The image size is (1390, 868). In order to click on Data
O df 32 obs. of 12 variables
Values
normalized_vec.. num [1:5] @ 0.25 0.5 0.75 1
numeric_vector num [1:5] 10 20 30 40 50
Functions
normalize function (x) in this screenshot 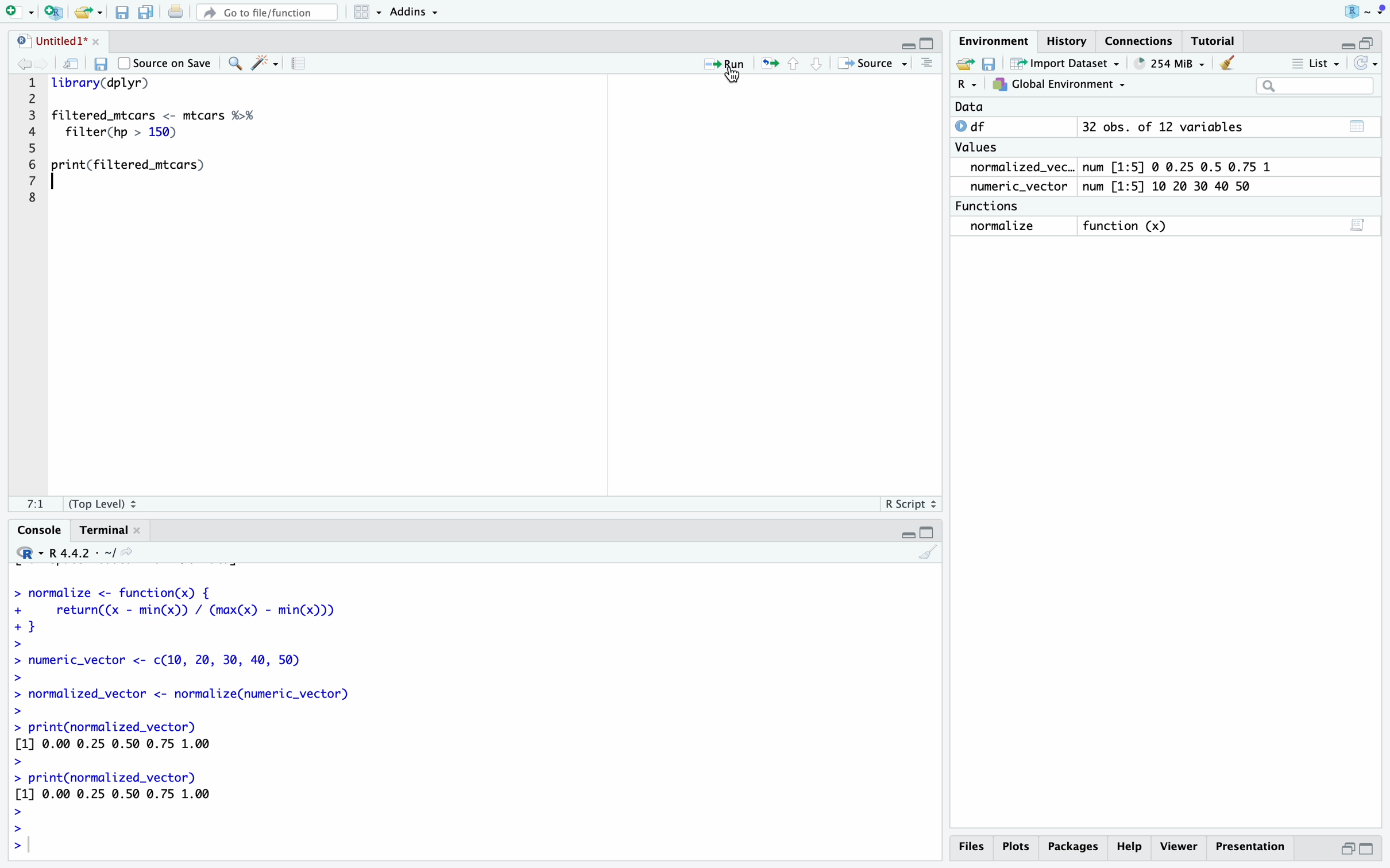, I will do `click(1111, 170)`.